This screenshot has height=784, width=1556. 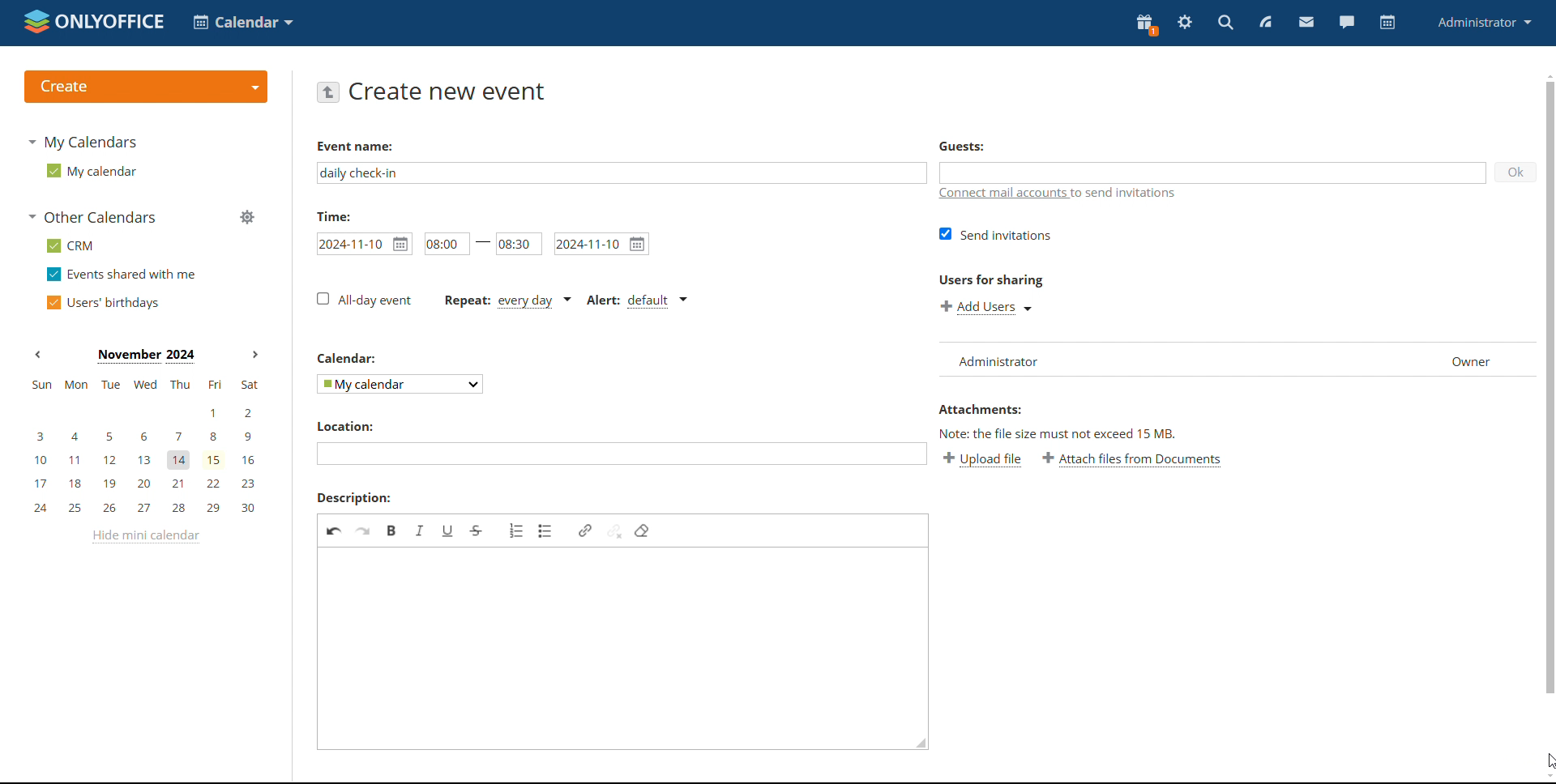 What do you see at coordinates (1186, 23) in the screenshot?
I see `settings` at bounding box center [1186, 23].